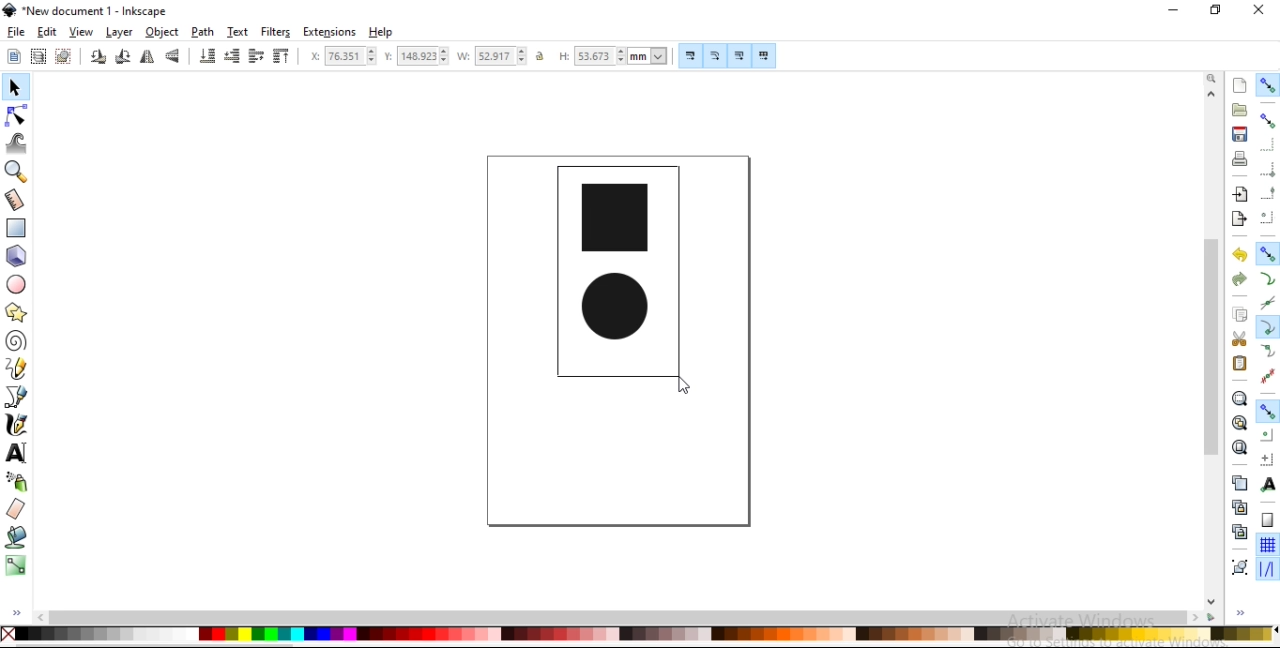 Image resolution: width=1280 pixels, height=648 pixels. Describe the element at coordinates (621, 273) in the screenshot. I see `image` at that location.